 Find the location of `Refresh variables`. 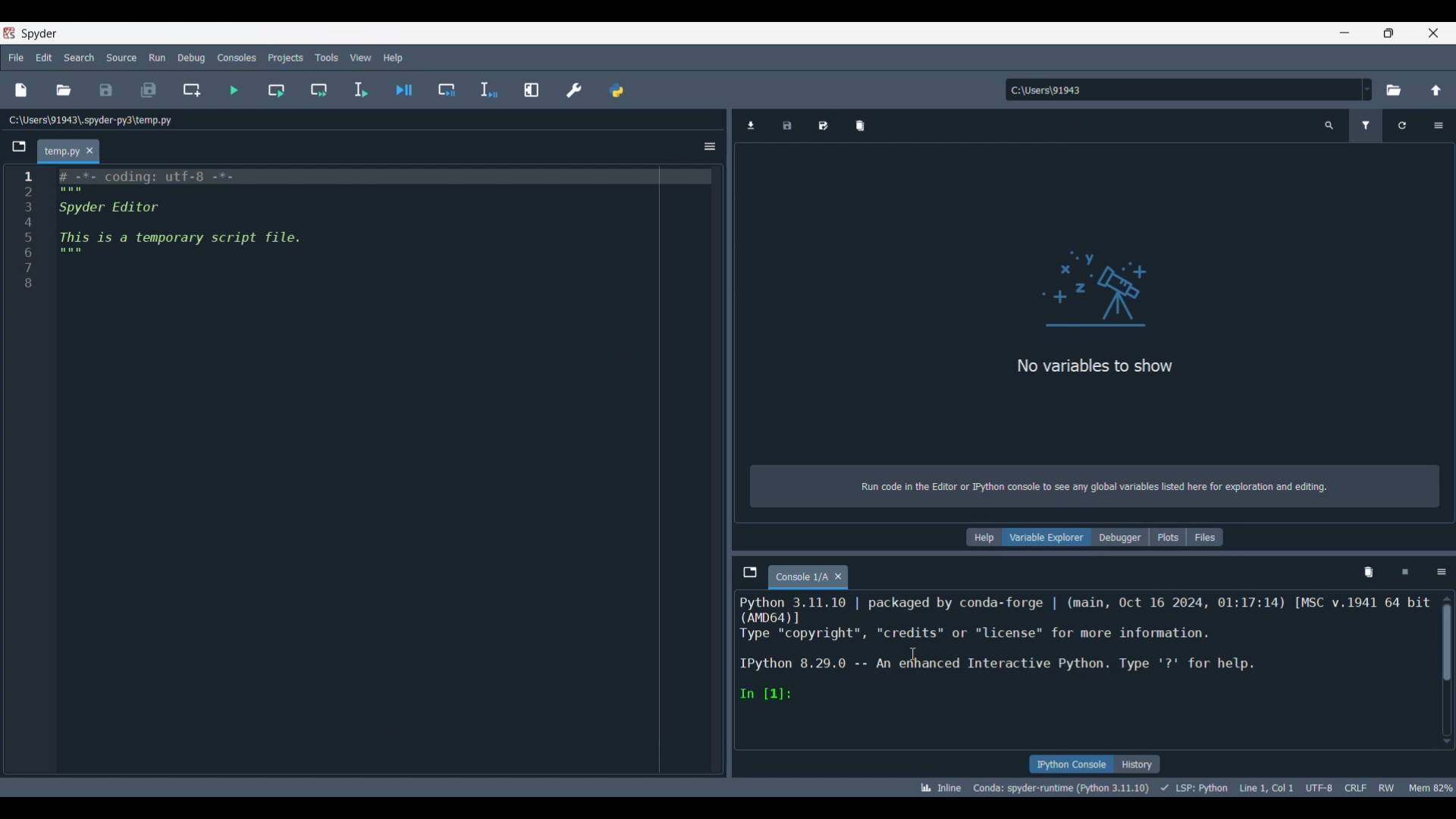

Refresh variables is located at coordinates (1401, 126).